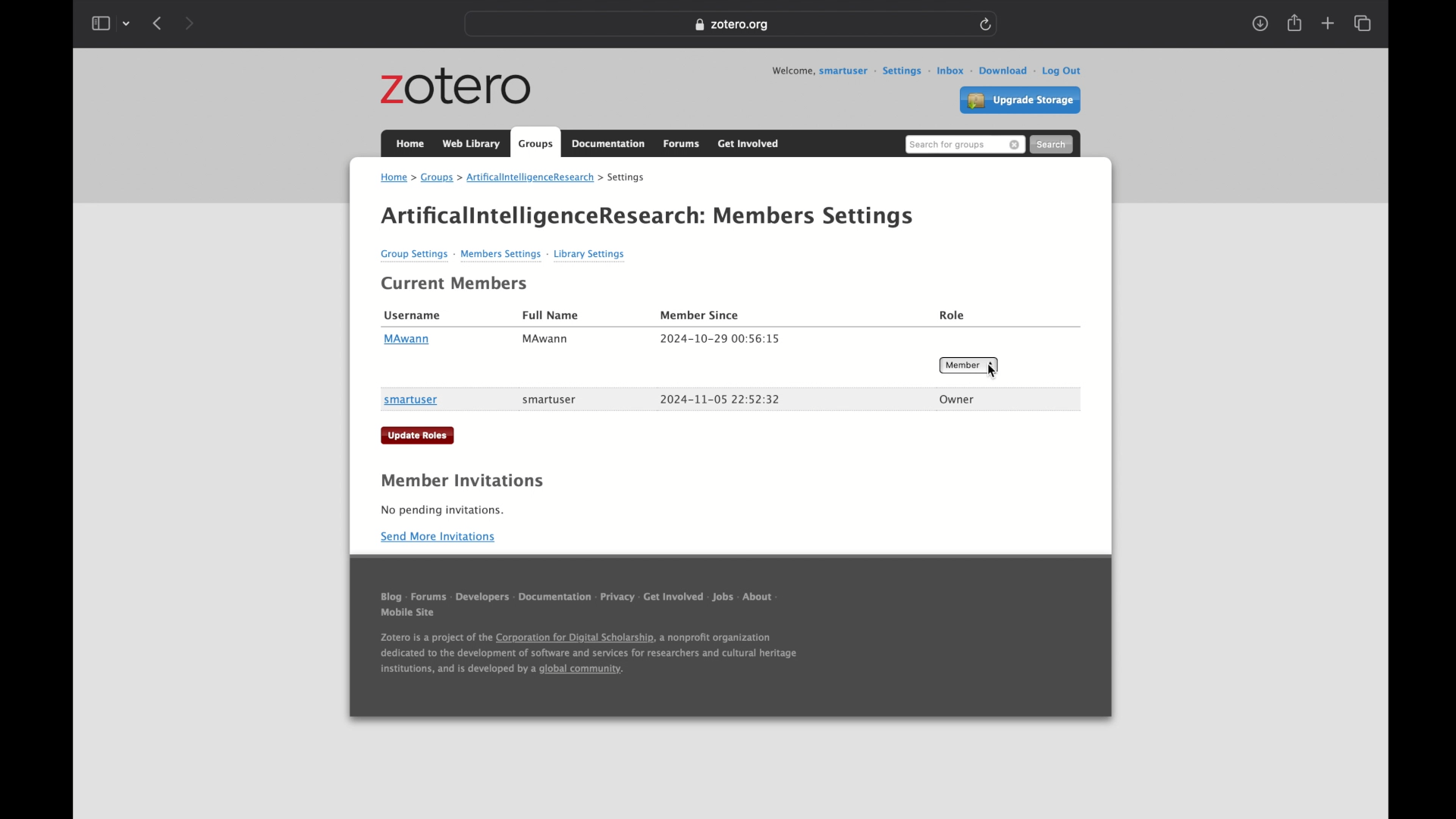 This screenshot has width=1456, height=819. Describe the element at coordinates (720, 399) in the screenshot. I see `member since date` at that location.